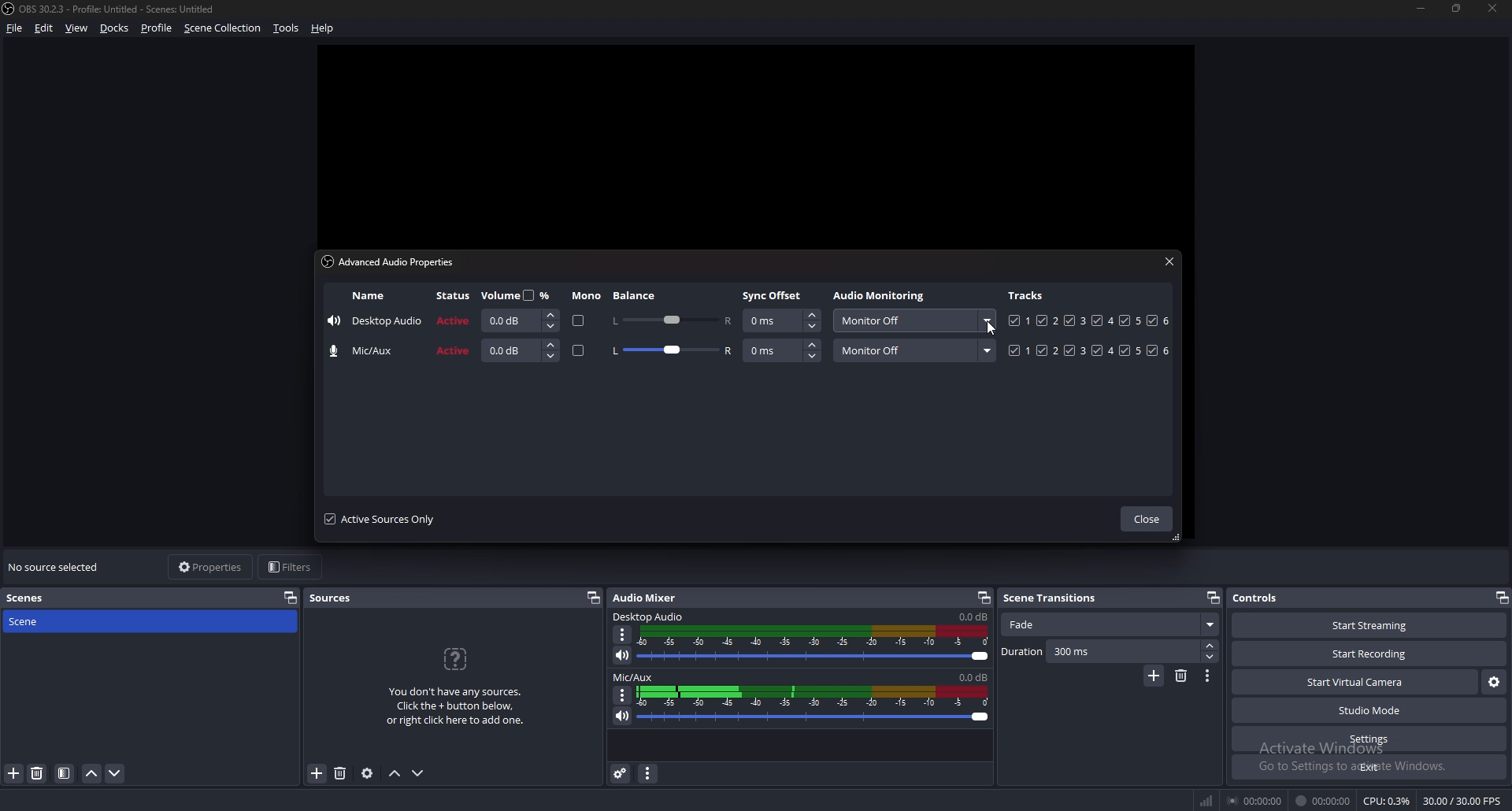 The image size is (1512, 811). What do you see at coordinates (1354, 683) in the screenshot?
I see `start virtual camera` at bounding box center [1354, 683].